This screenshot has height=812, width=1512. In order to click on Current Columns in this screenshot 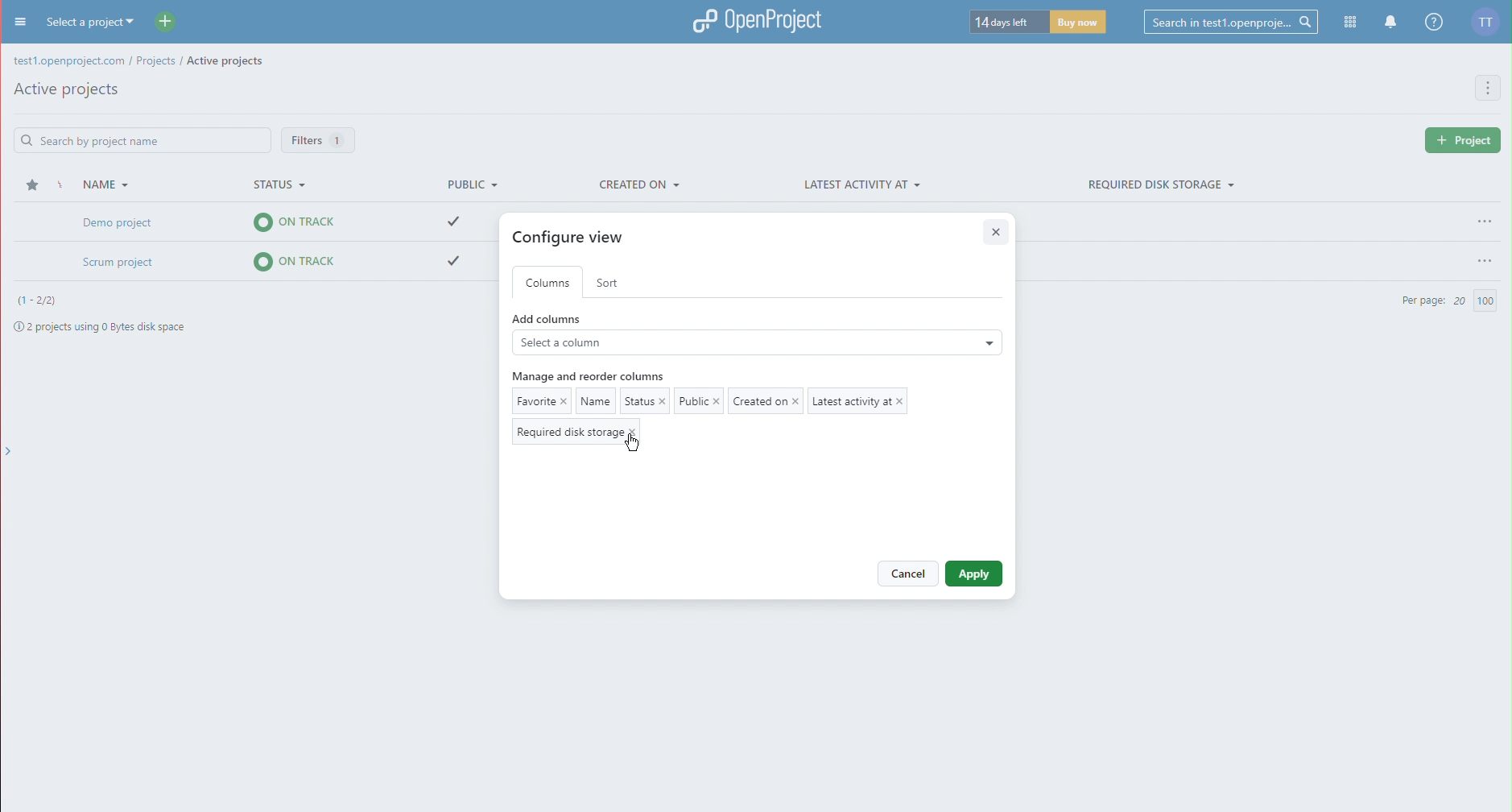, I will do `click(720, 416)`.